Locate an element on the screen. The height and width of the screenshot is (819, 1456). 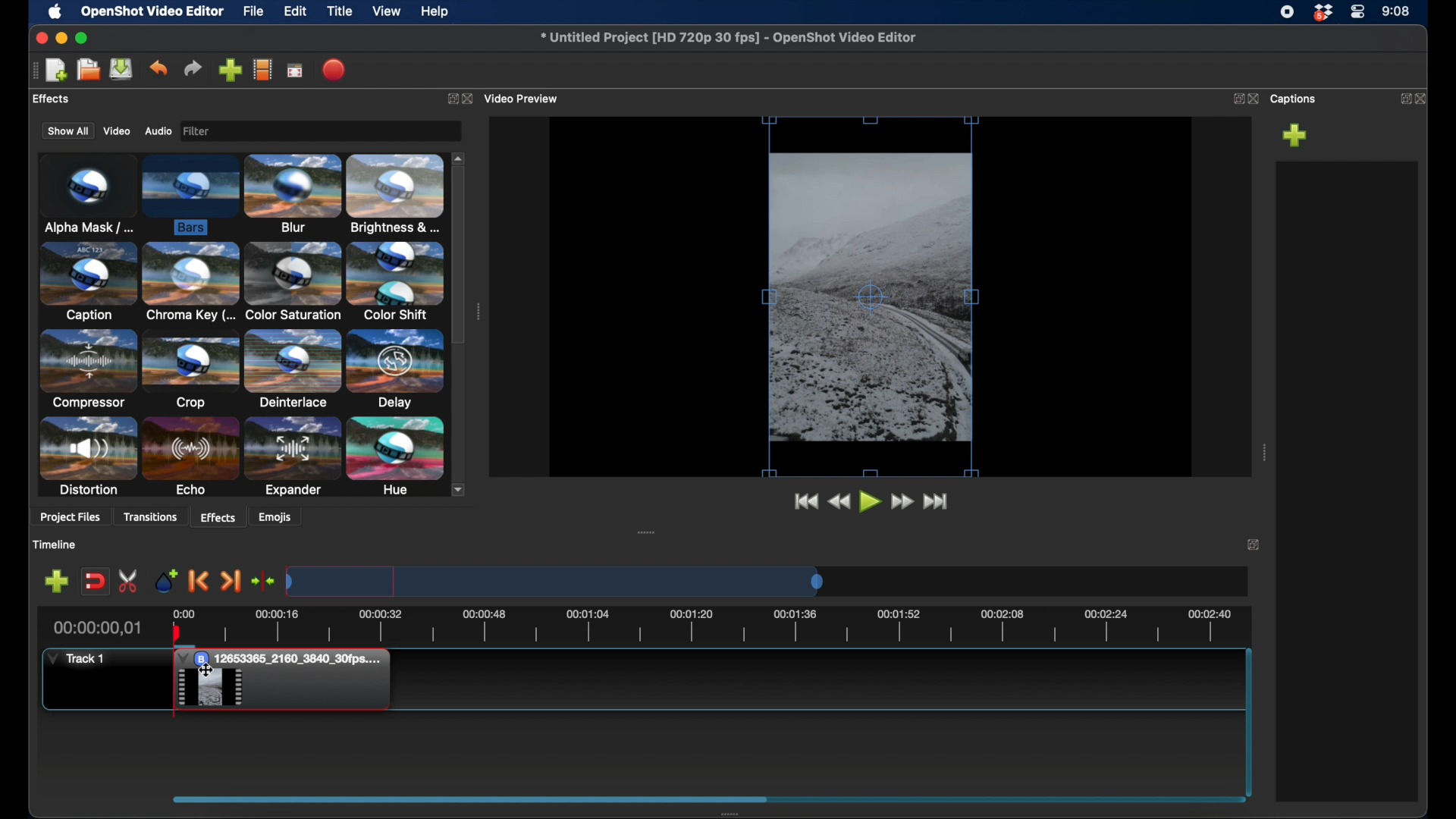
distortion is located at coordinates (88, 457).